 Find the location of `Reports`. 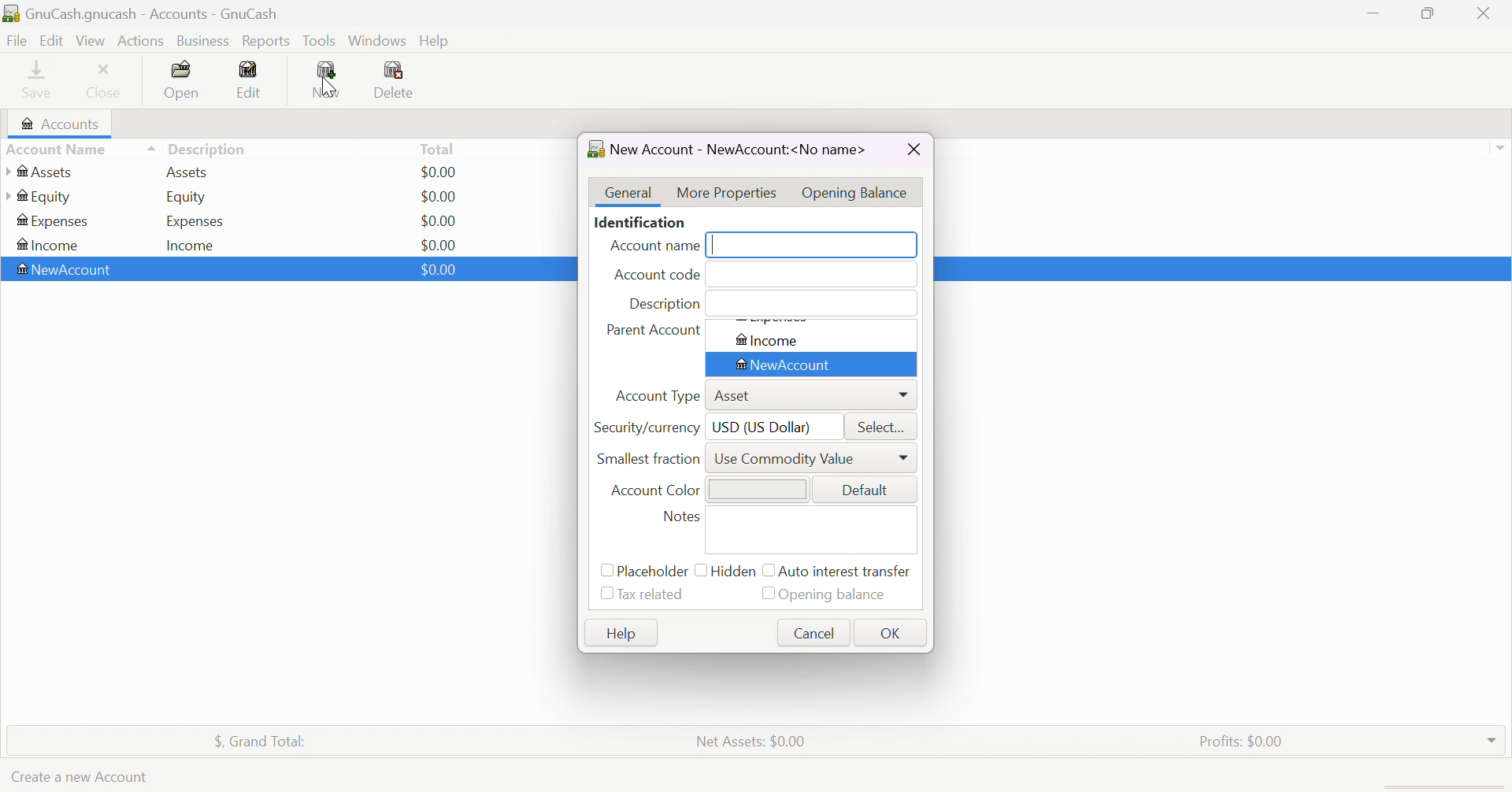

Reports is located at coordinates (270, 41).